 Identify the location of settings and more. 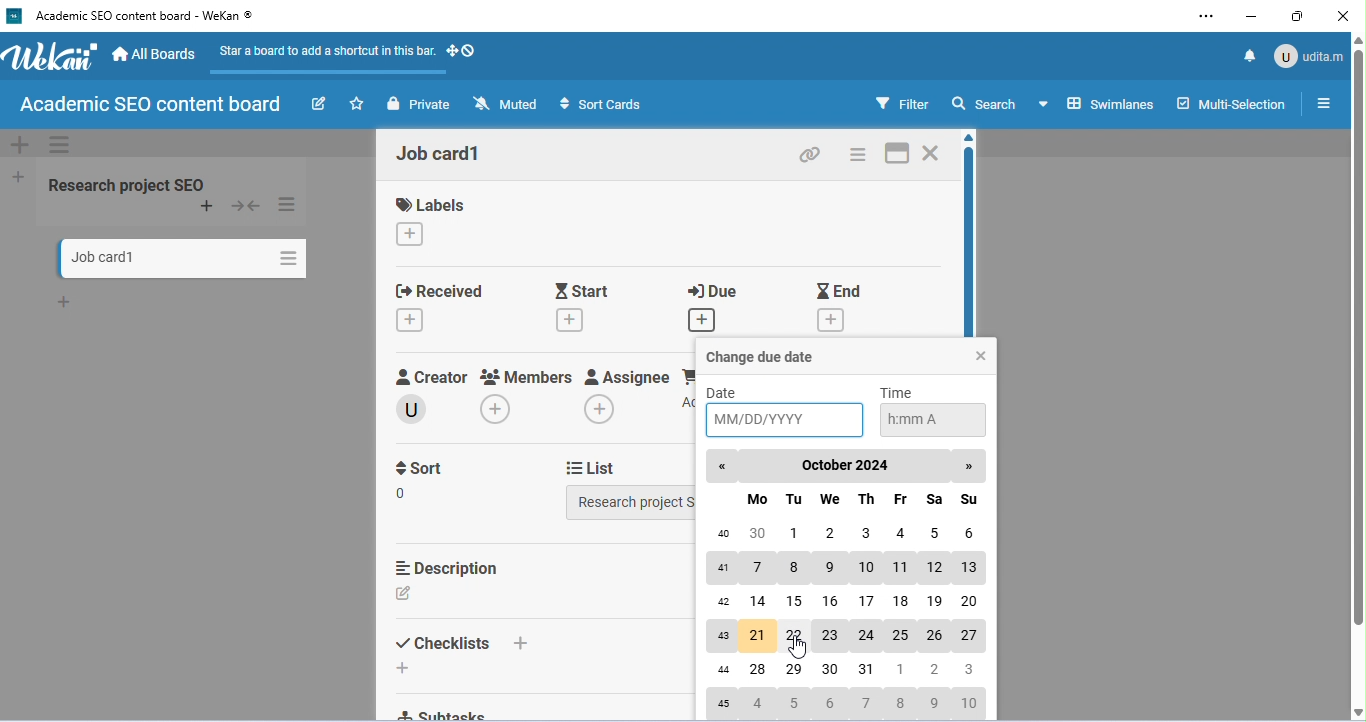
(1211, 16).